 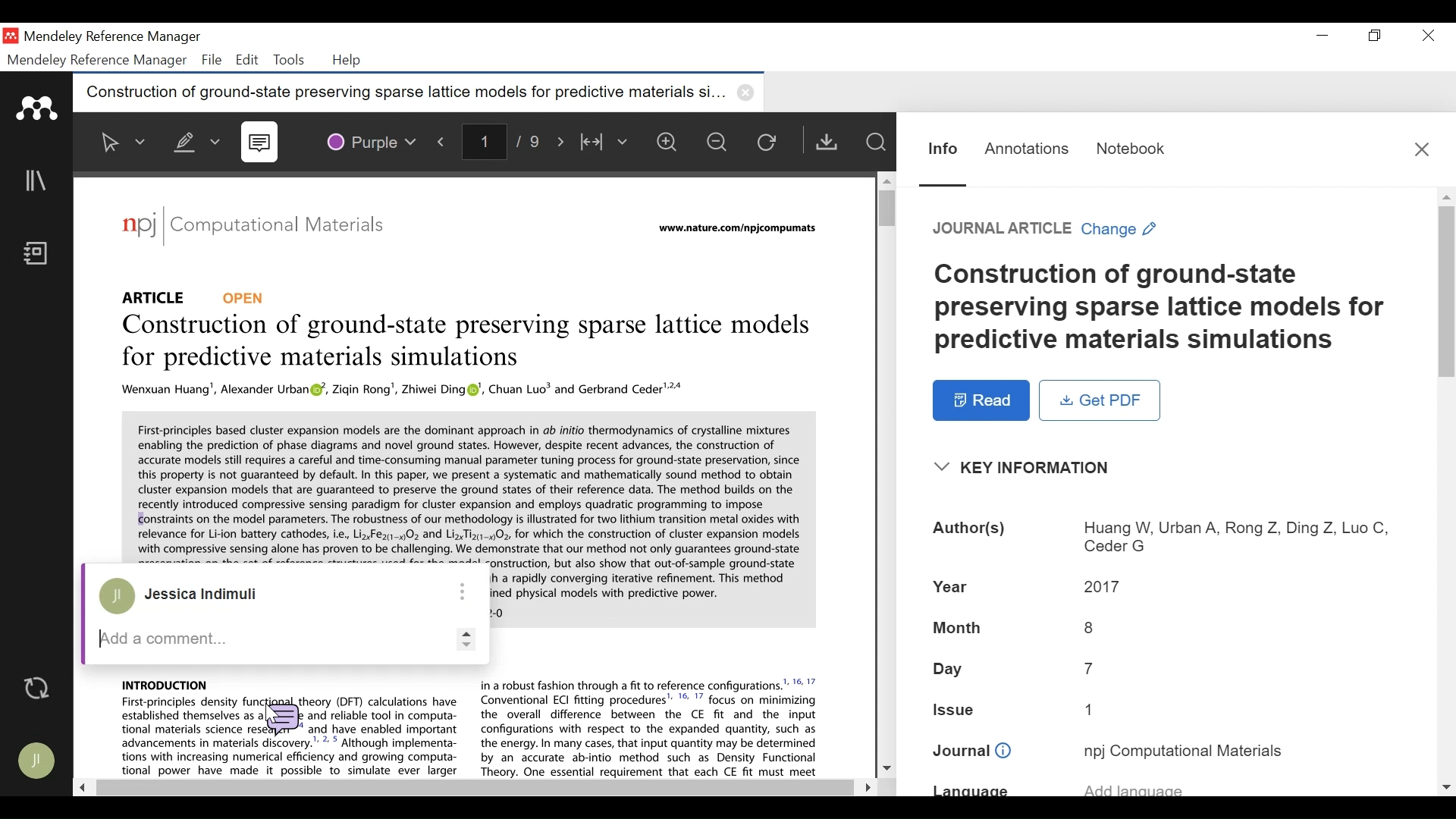 I want to click on Vertical Scroll bar, so click(x=884, y=209).